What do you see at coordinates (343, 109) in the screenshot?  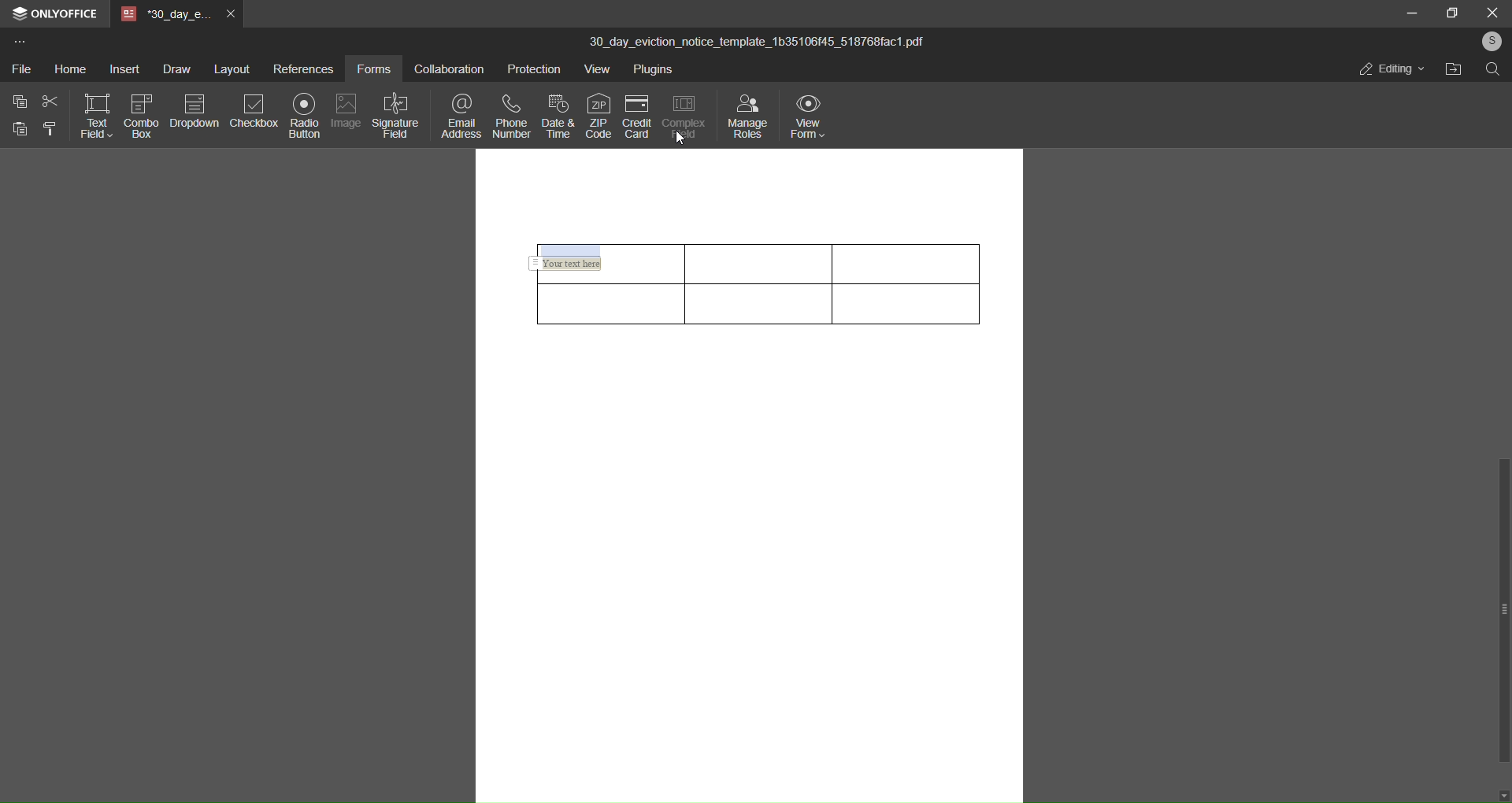 I see `image` at bounding box center [343, 109].